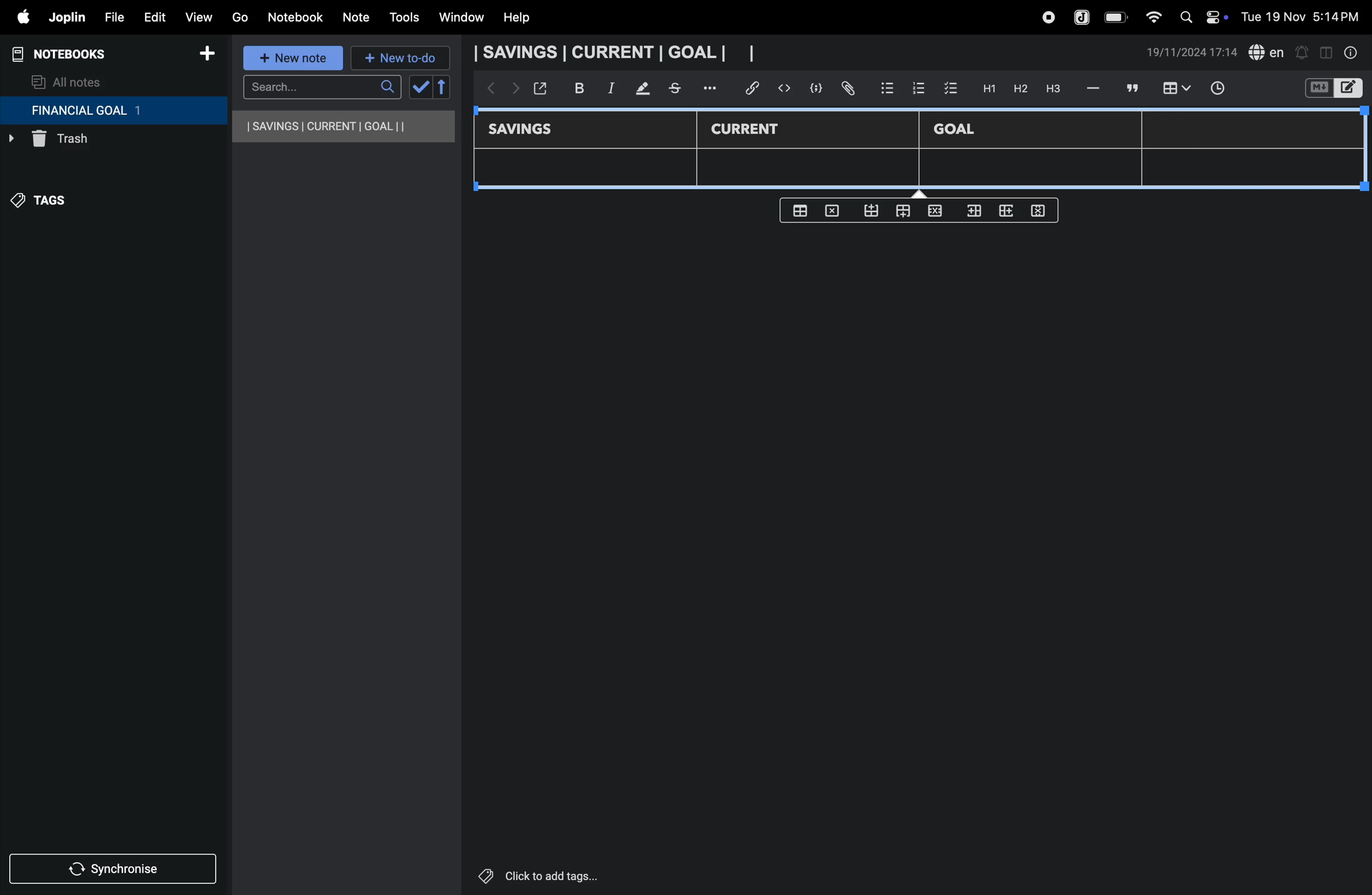 This screenshot has width=1372, height=895. I want to click on mark, so click(638, 89).